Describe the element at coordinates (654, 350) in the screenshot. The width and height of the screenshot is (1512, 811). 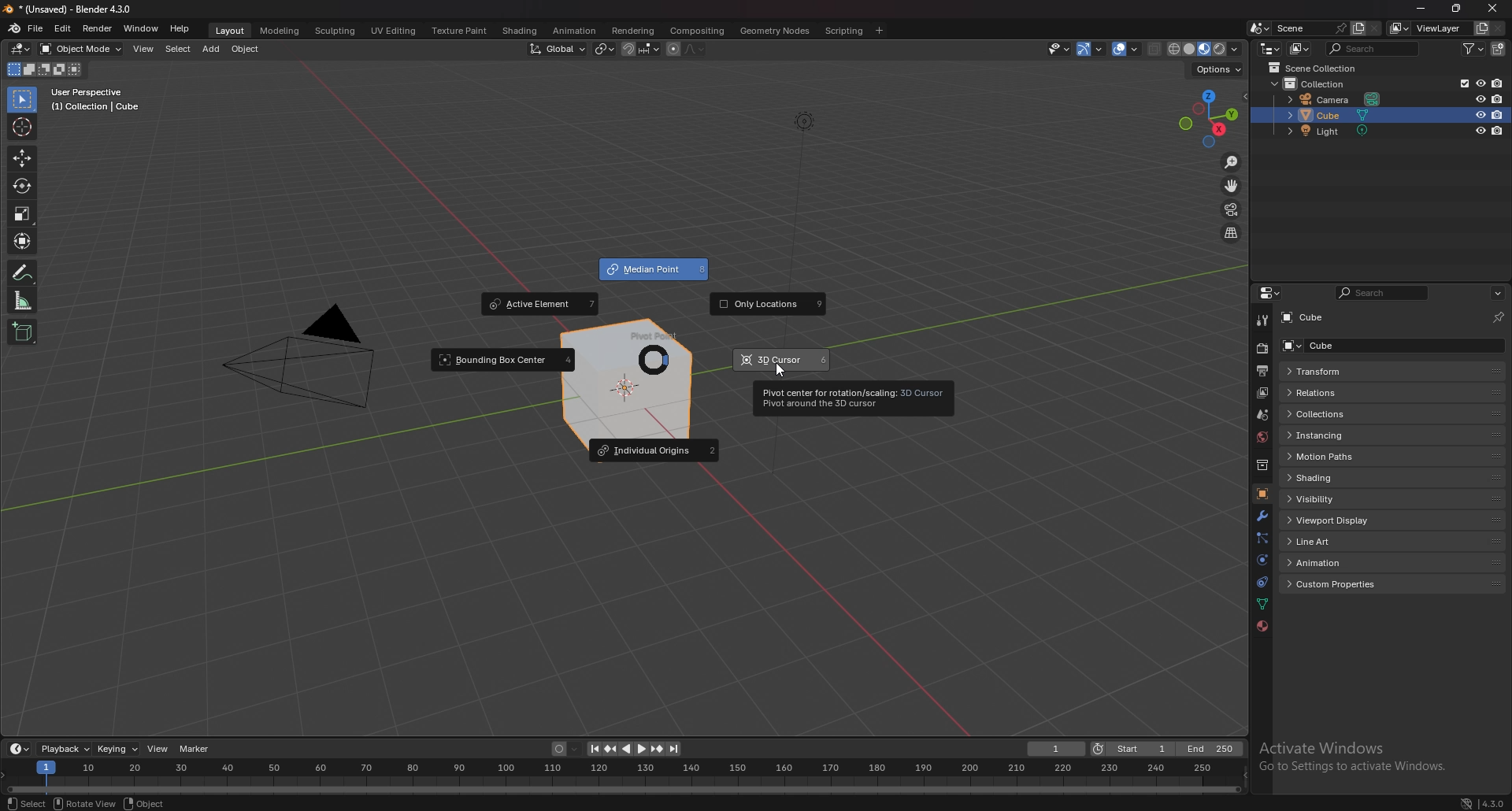
I see `pivot point` at that location.